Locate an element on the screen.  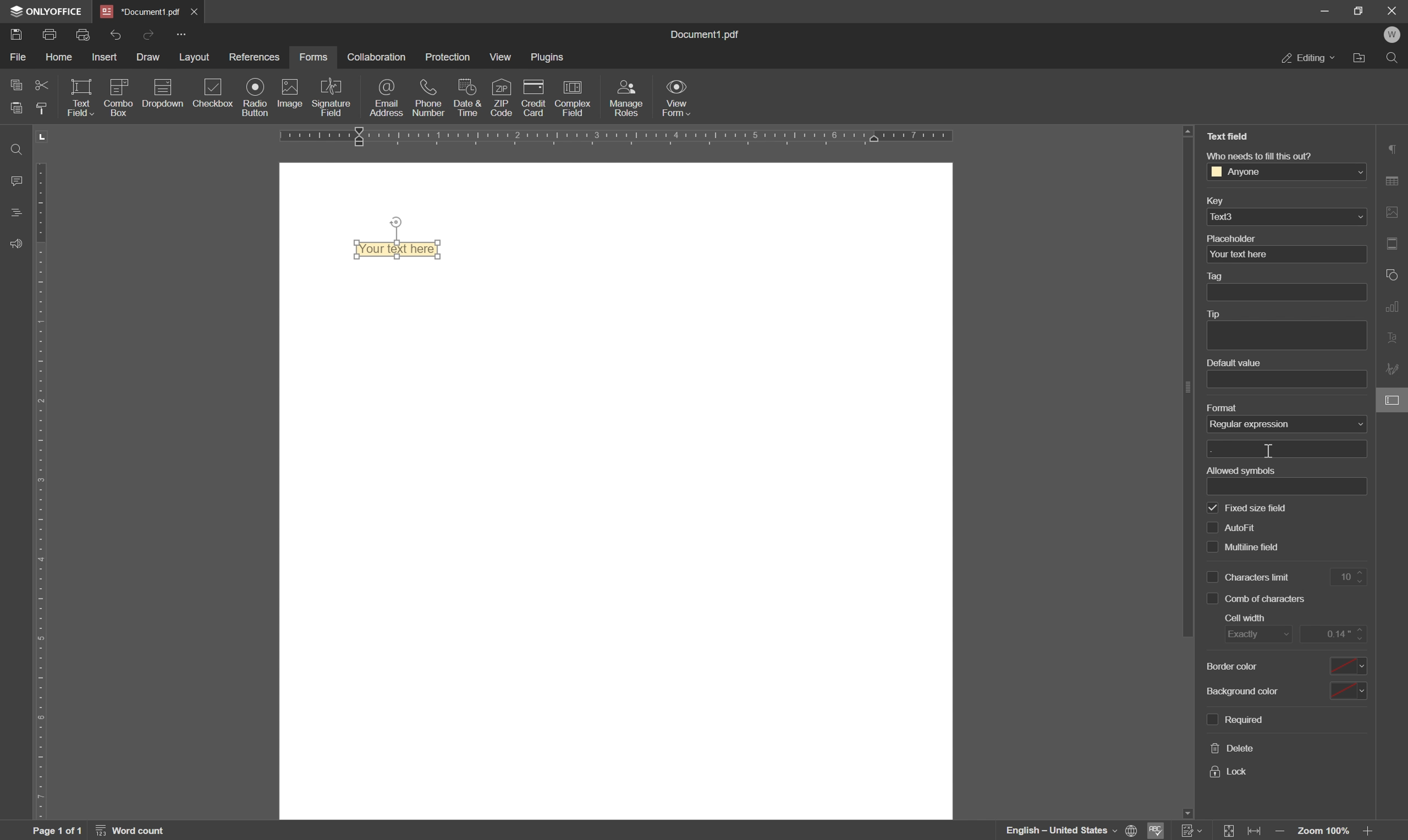
protection is located at coordinates (449, 55).